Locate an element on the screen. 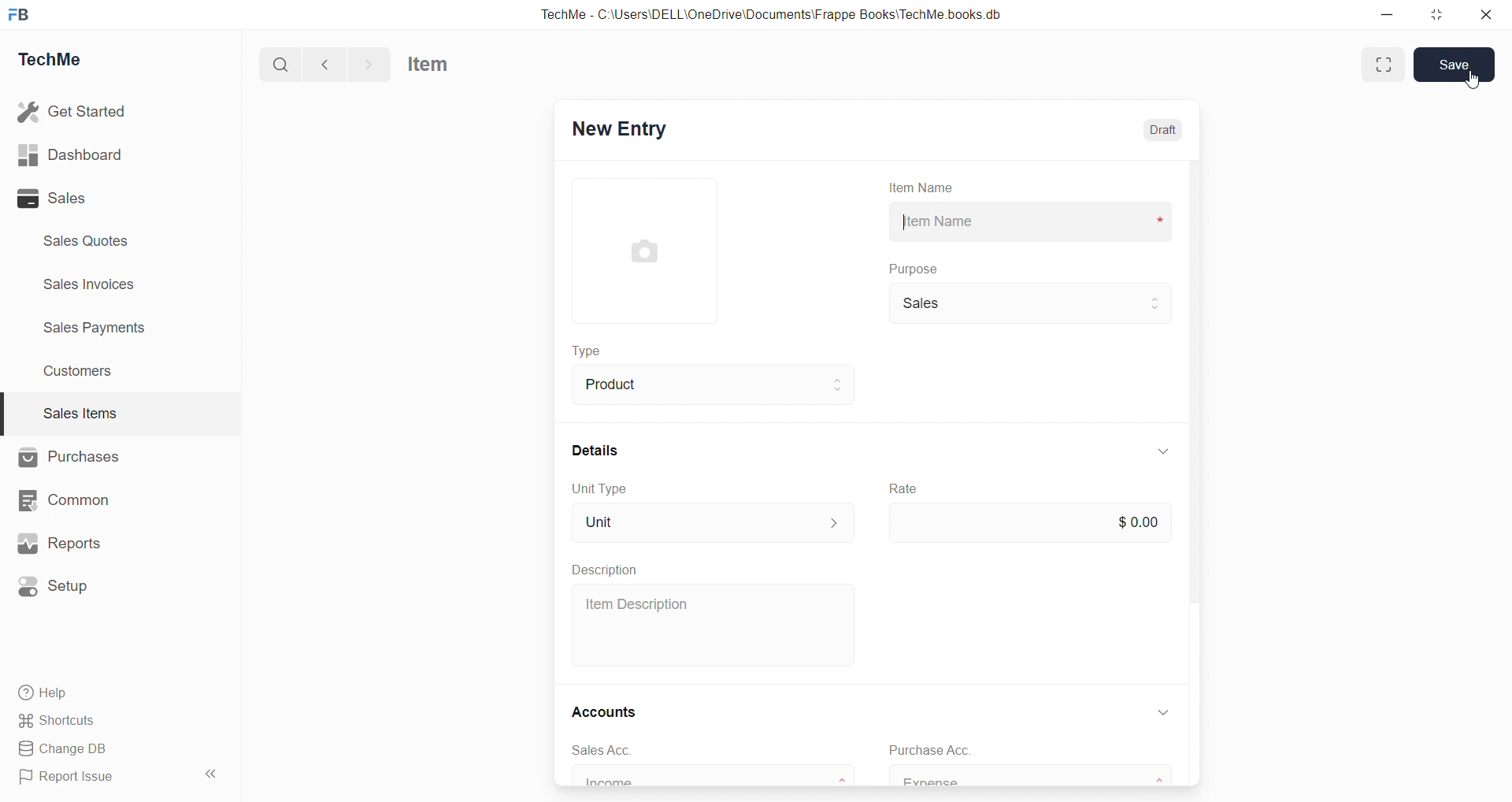 Image resolution: width=1512 pixels, height=802 pixels. Help is located at coordinates (45, 693).